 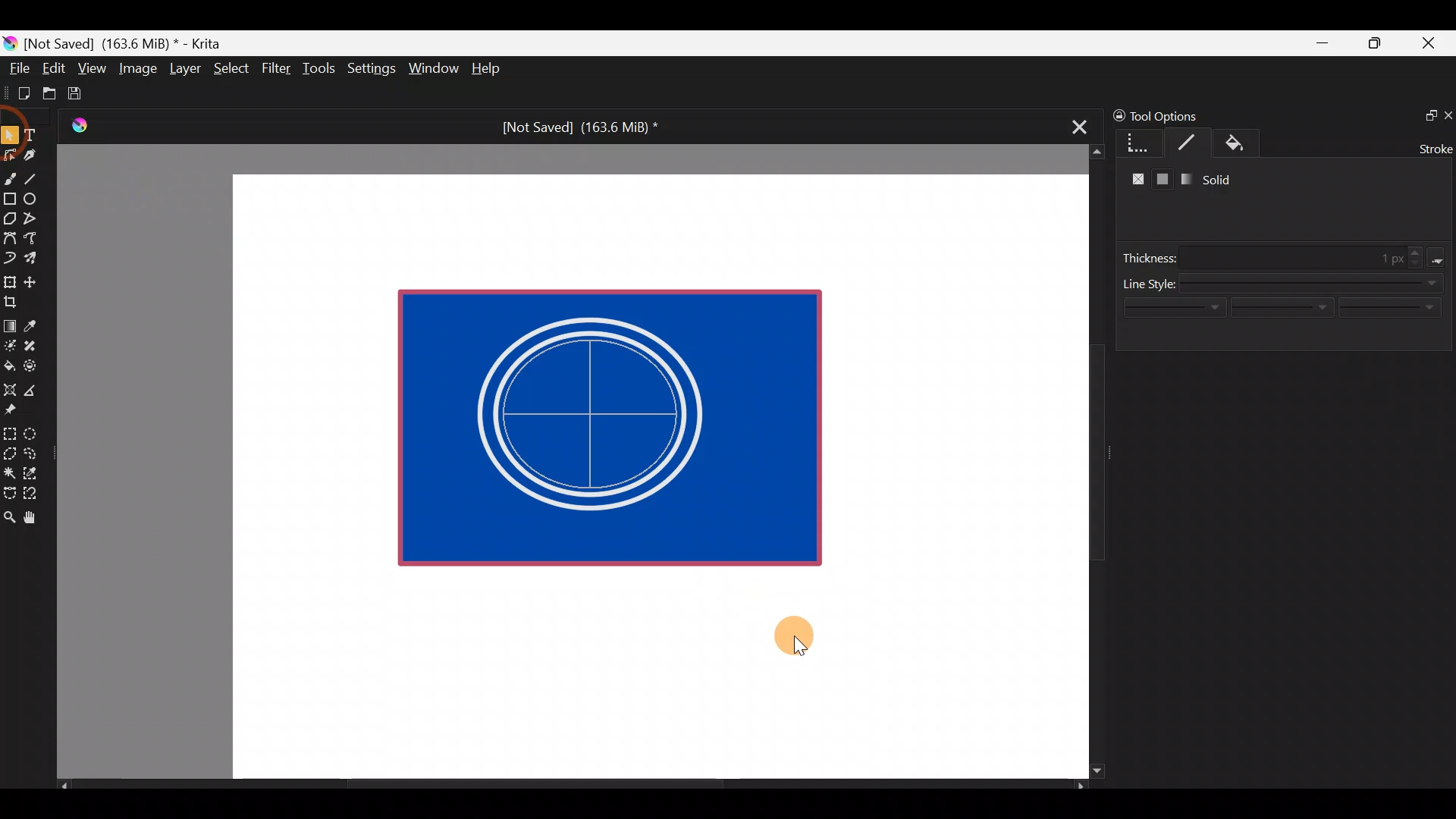 What do you see at coordinates (35, 494) in the screenshot?
I see `Magnetic curve selection tool` at bounding box center [35, 494].